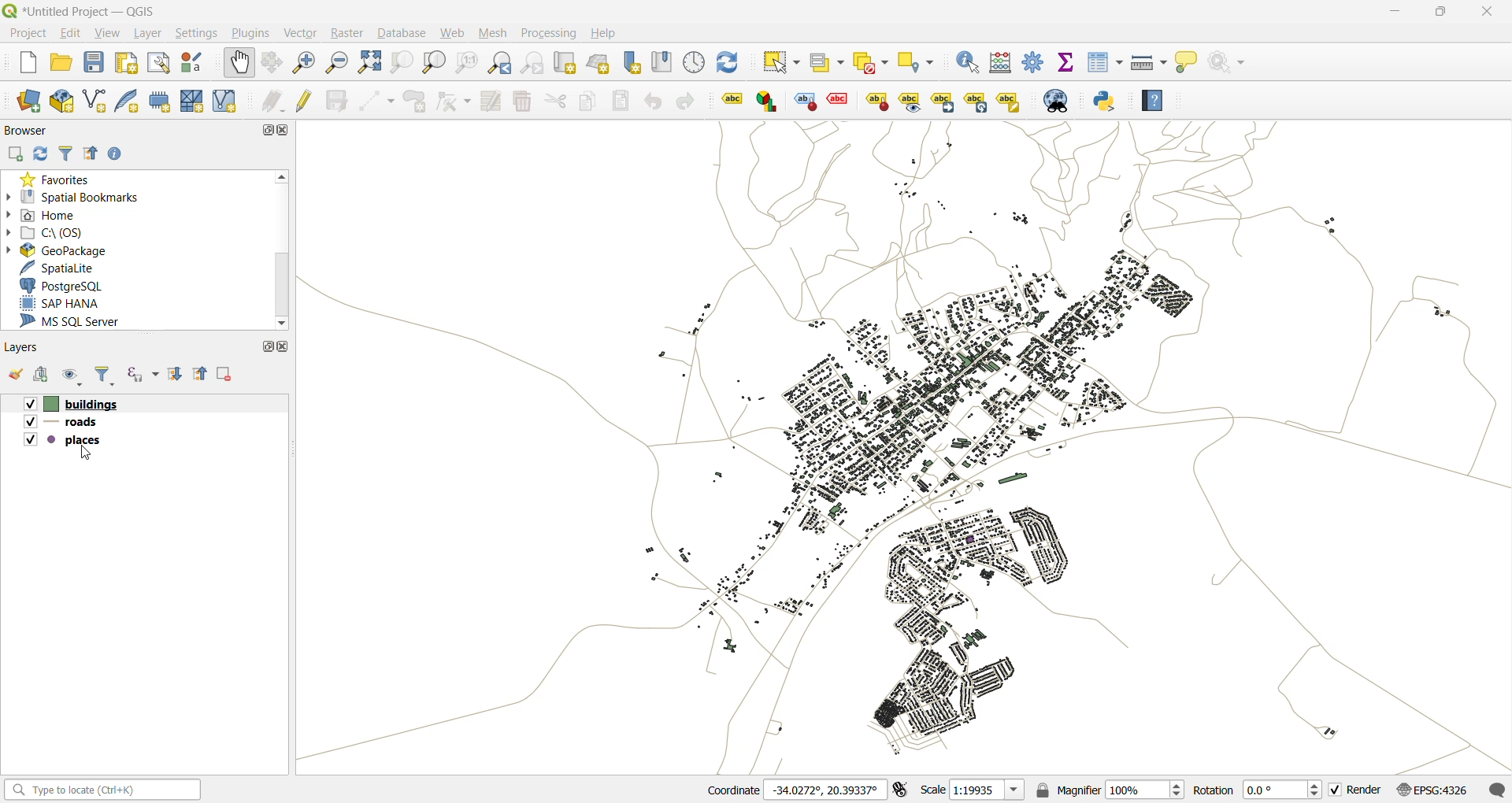  I want to click on new geopackage, so click(65, 102).